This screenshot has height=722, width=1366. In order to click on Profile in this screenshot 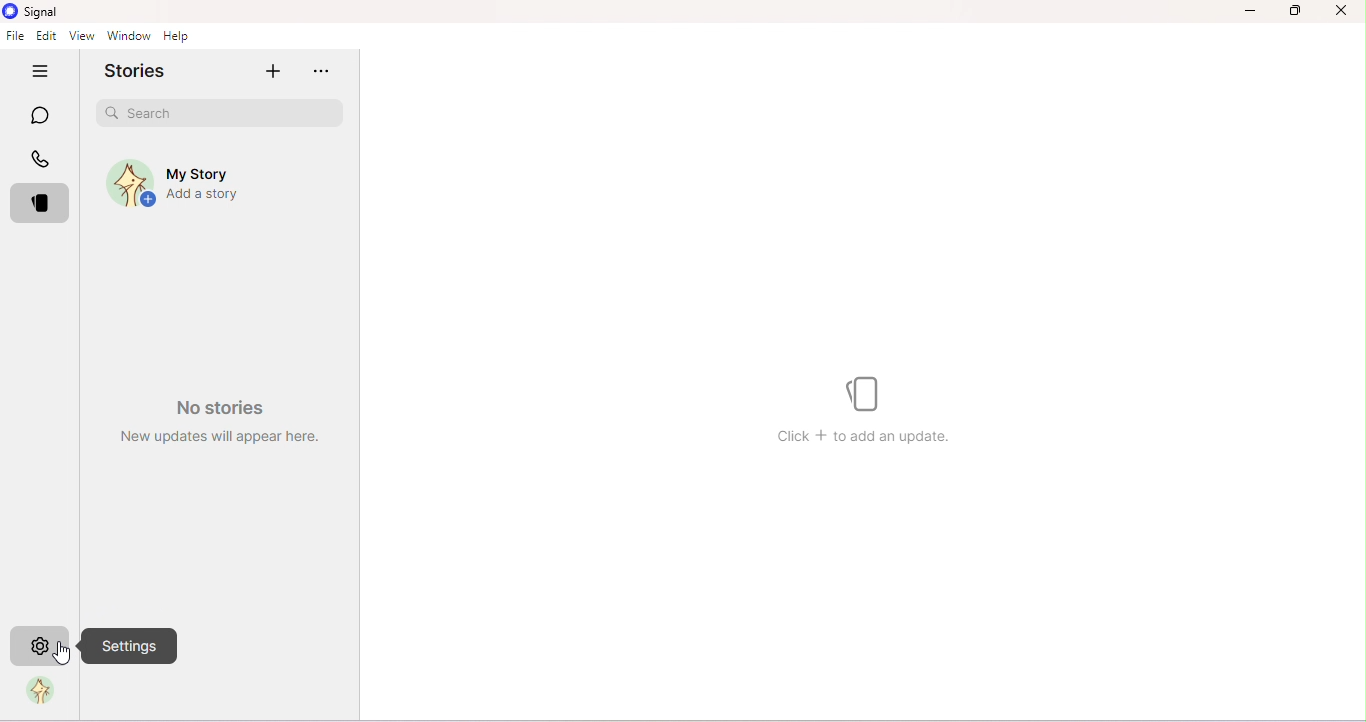, I will do `click(45, 693)`.